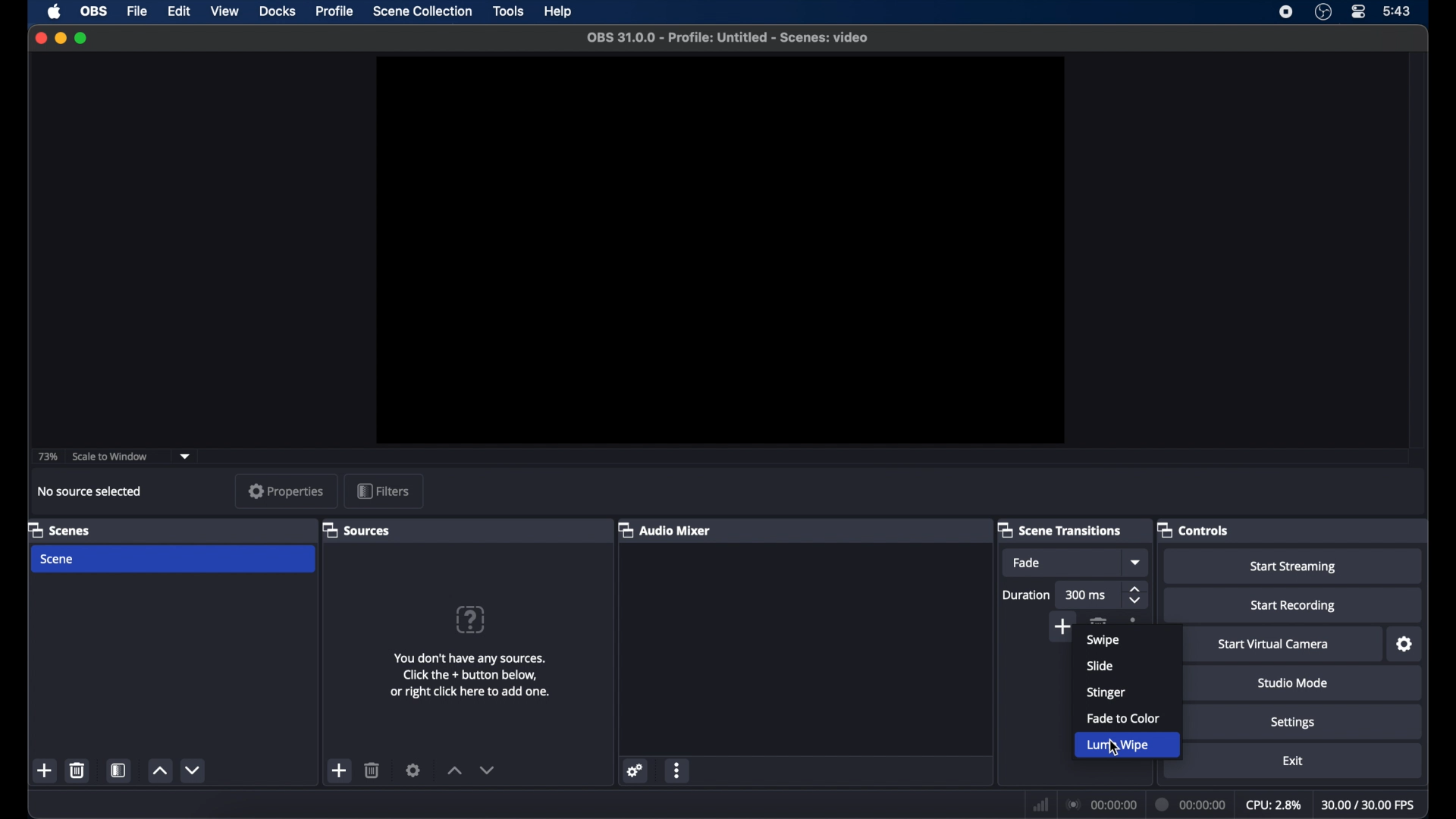 The image size is (1456, 819). Describe the element at coordinates (1103, 805) in the screenshot. I see `connection` at that location.